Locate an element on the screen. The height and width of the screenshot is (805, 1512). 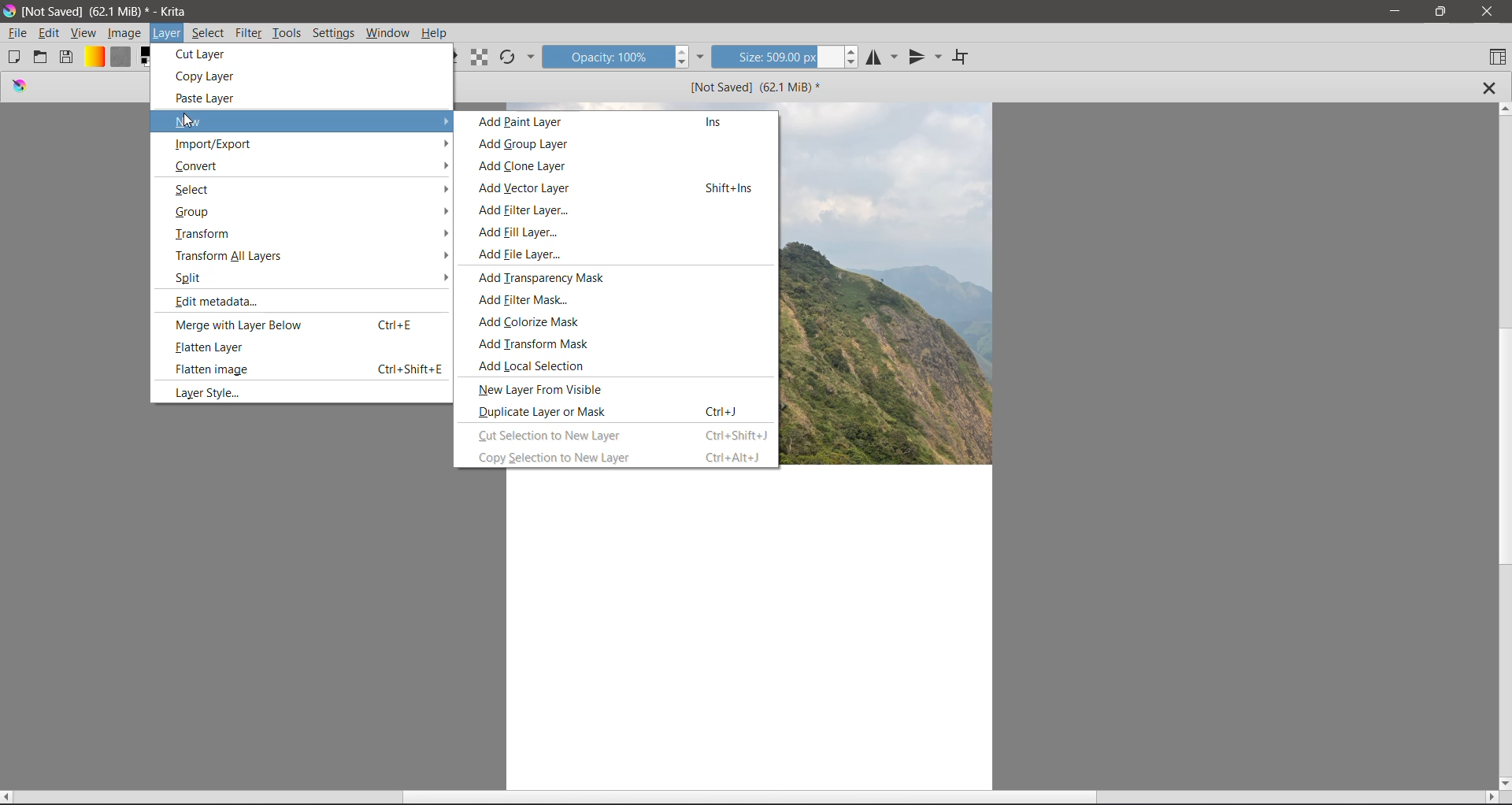
Import /Export is located at coordinates (309, 145).